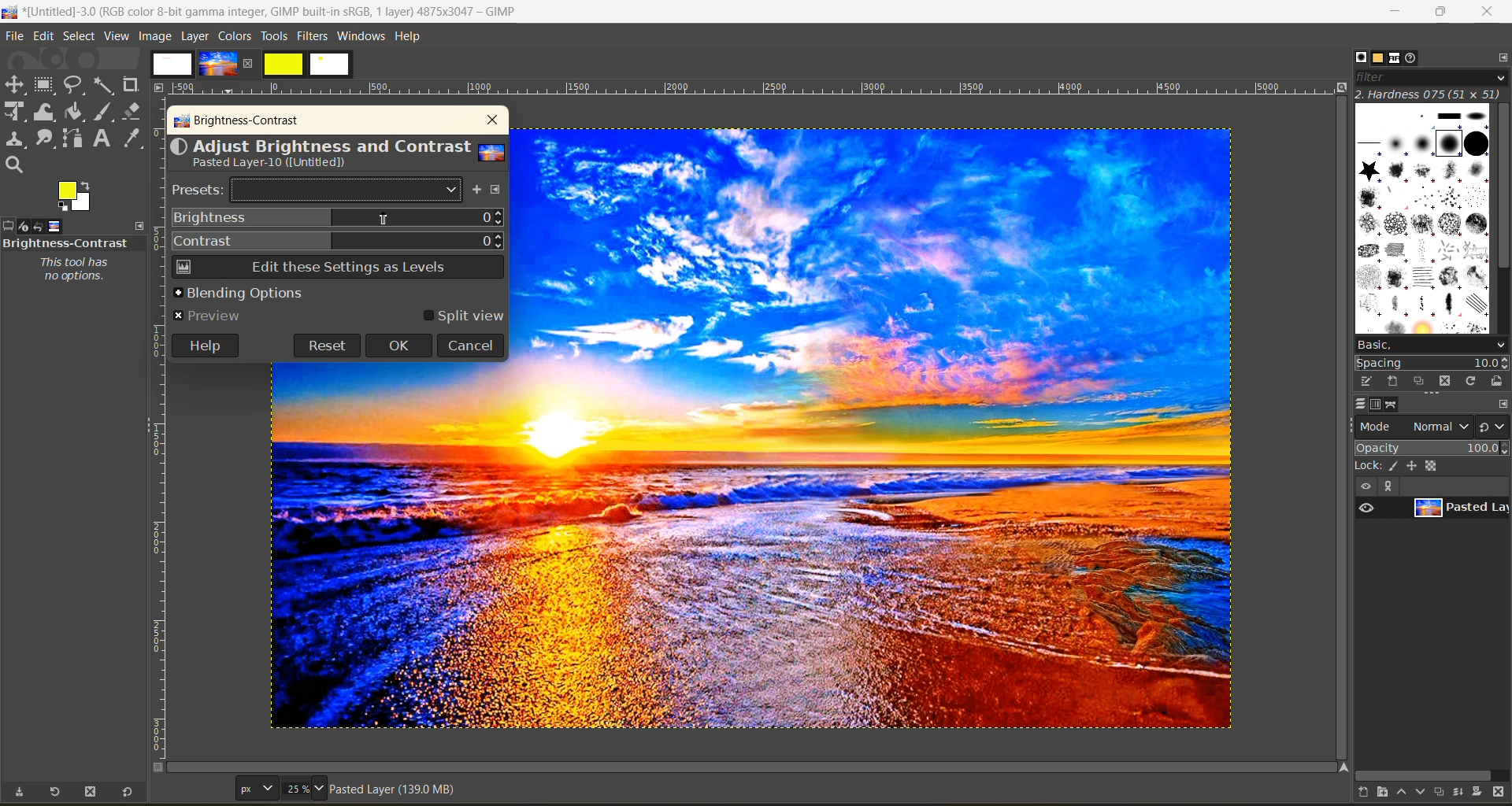 The width and height of the screenshot is (1512, 806). Describe the element at coordinates (155, 36) in the screenshot. I see `image` at that location.